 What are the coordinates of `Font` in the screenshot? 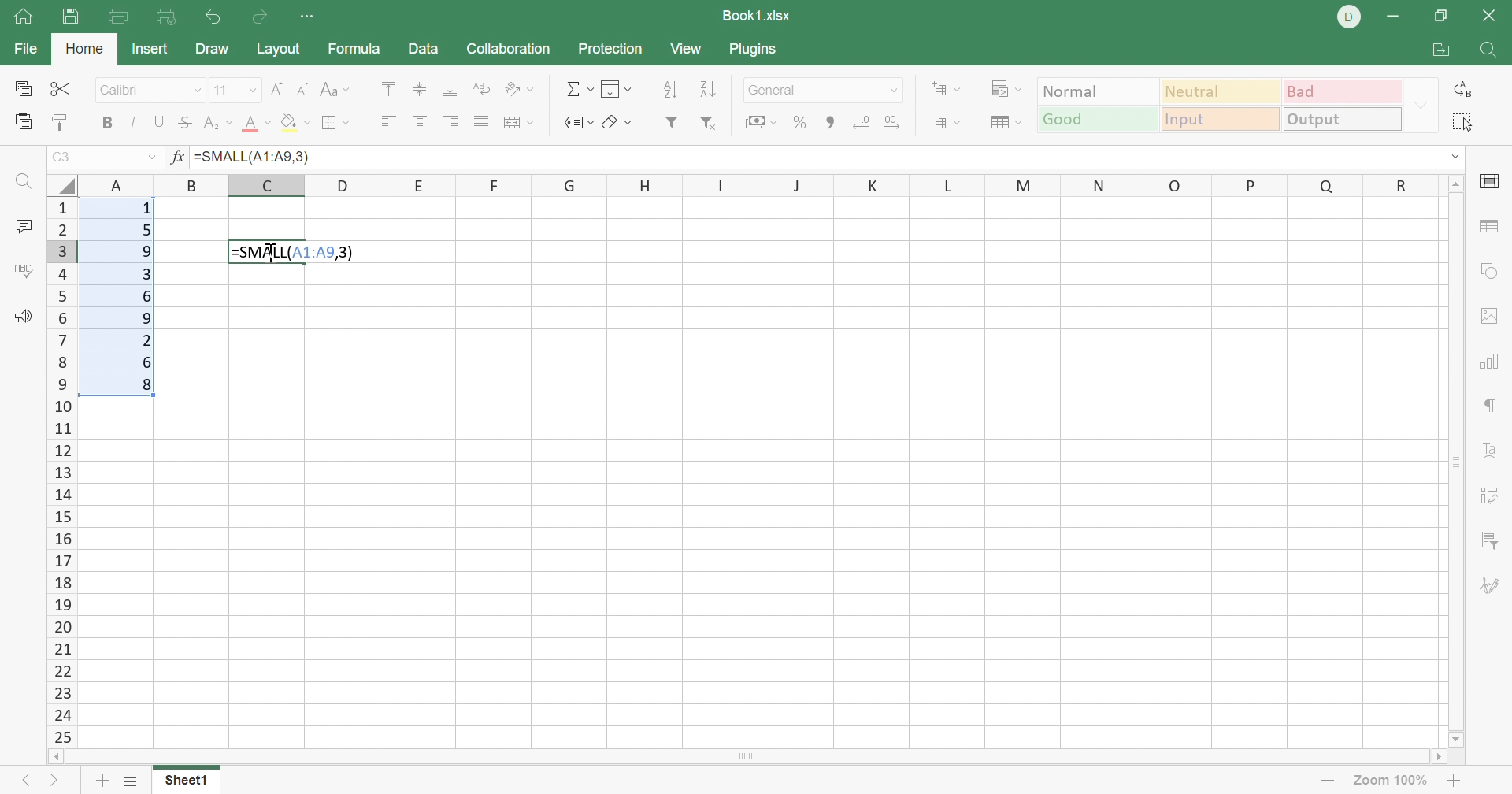 It's located at (152, 88).